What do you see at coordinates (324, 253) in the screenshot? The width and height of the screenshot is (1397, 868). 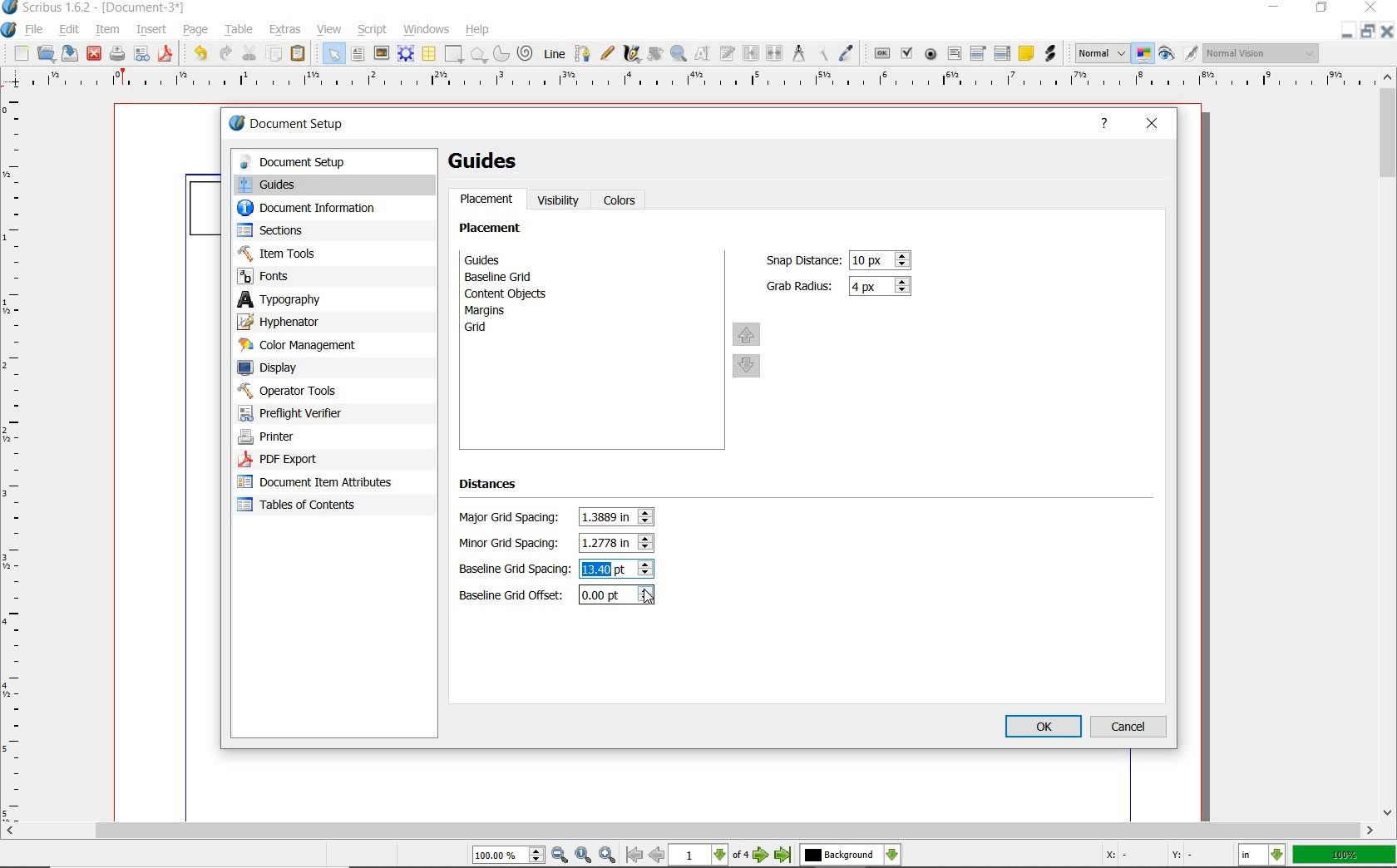 I see `item tools` at bounding box center [324, 253].